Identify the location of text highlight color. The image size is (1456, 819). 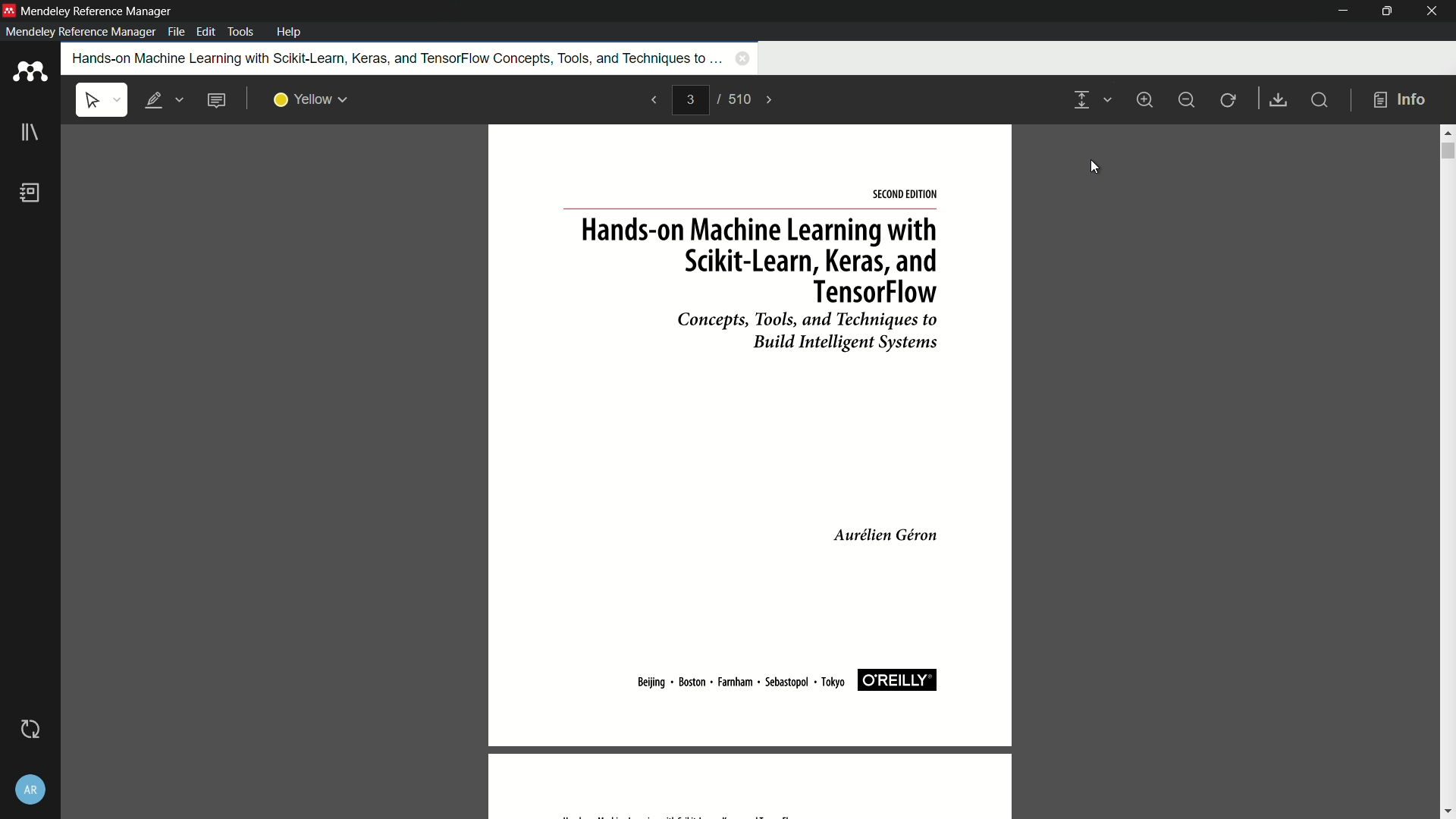
(312, 101).